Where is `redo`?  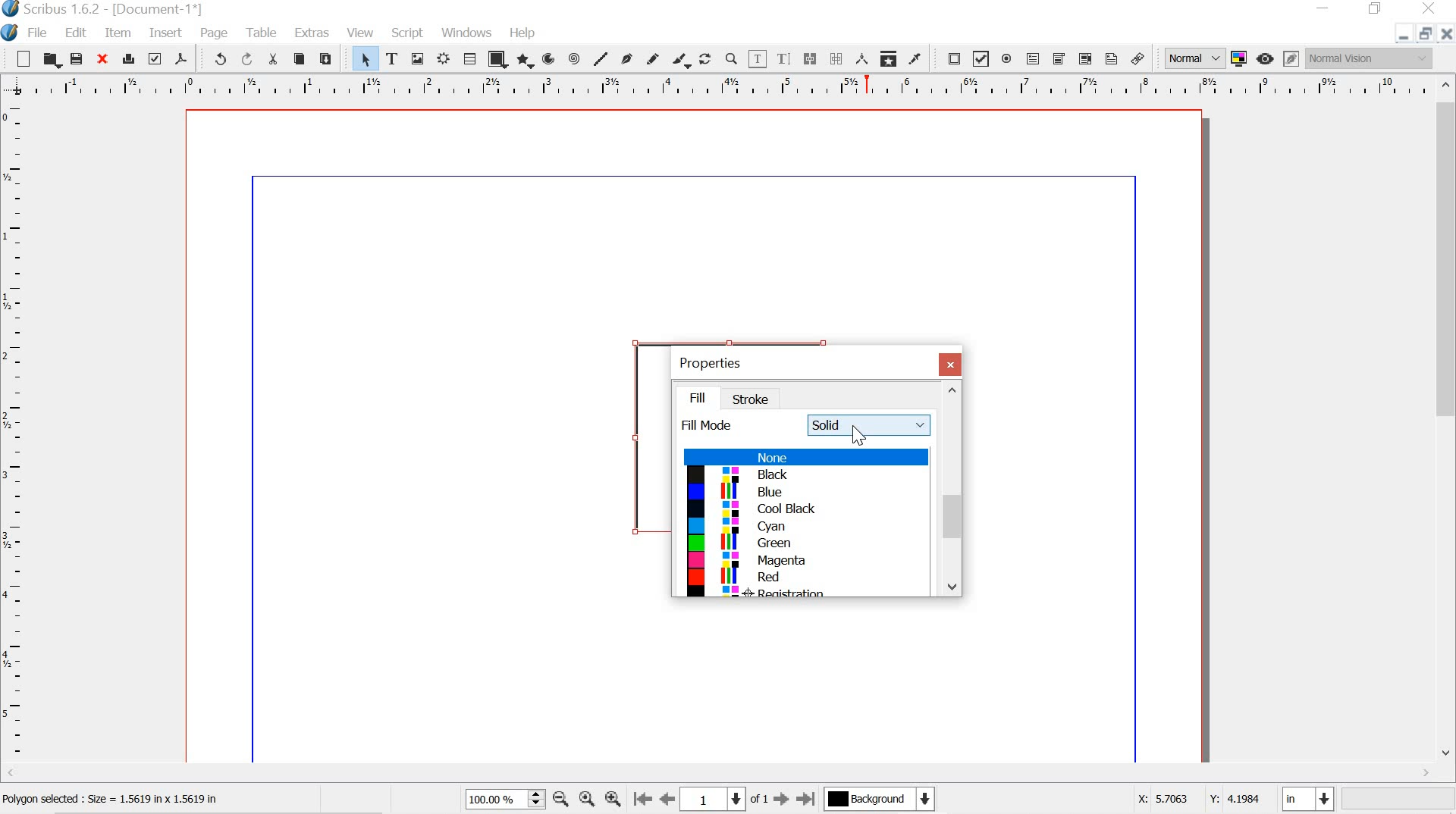
redo is located at coordinates (249, 59).